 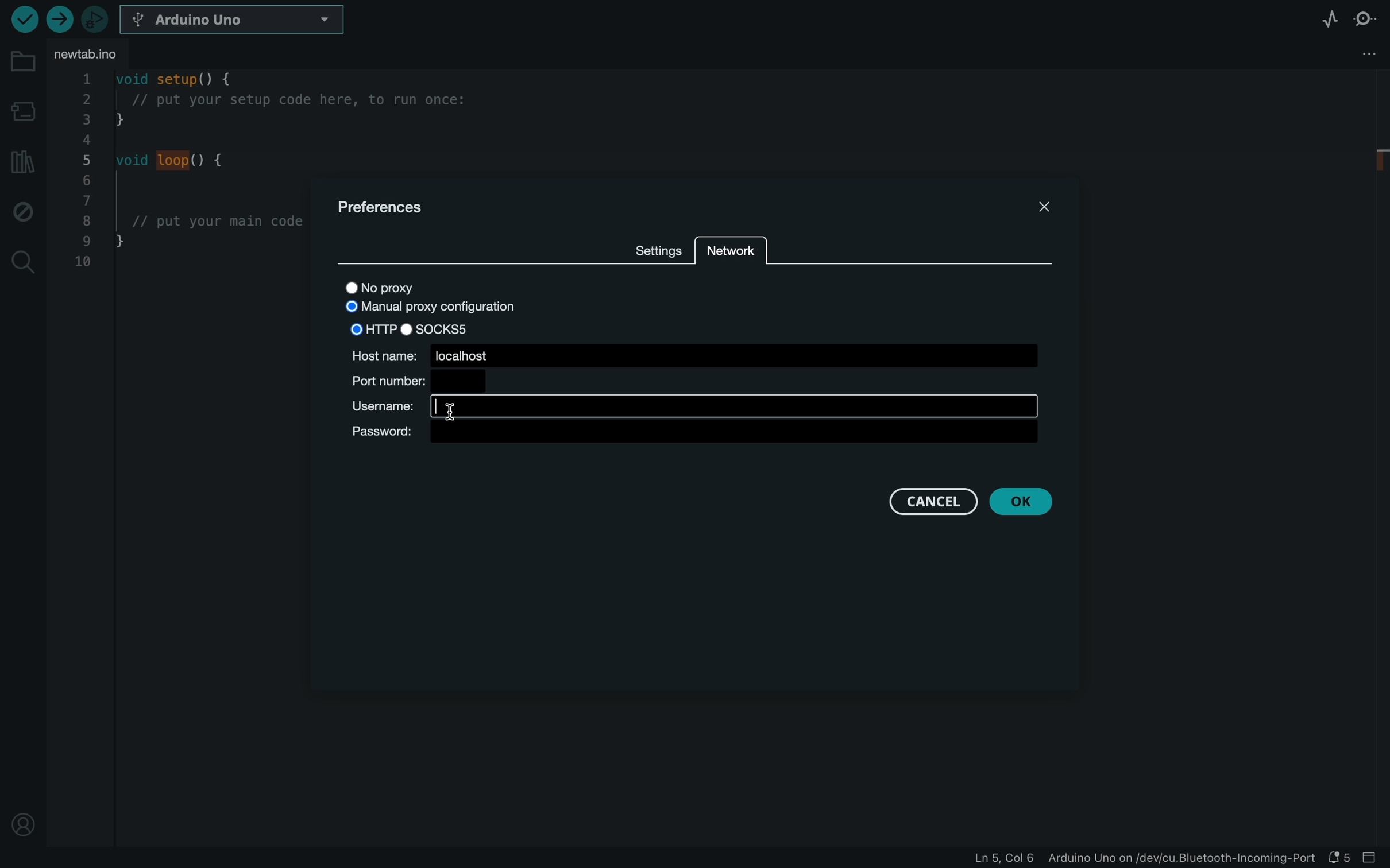 What do you see at coordinates (694, 354) in the screenshot?
I see `host name` at bounding box center [694, 354].